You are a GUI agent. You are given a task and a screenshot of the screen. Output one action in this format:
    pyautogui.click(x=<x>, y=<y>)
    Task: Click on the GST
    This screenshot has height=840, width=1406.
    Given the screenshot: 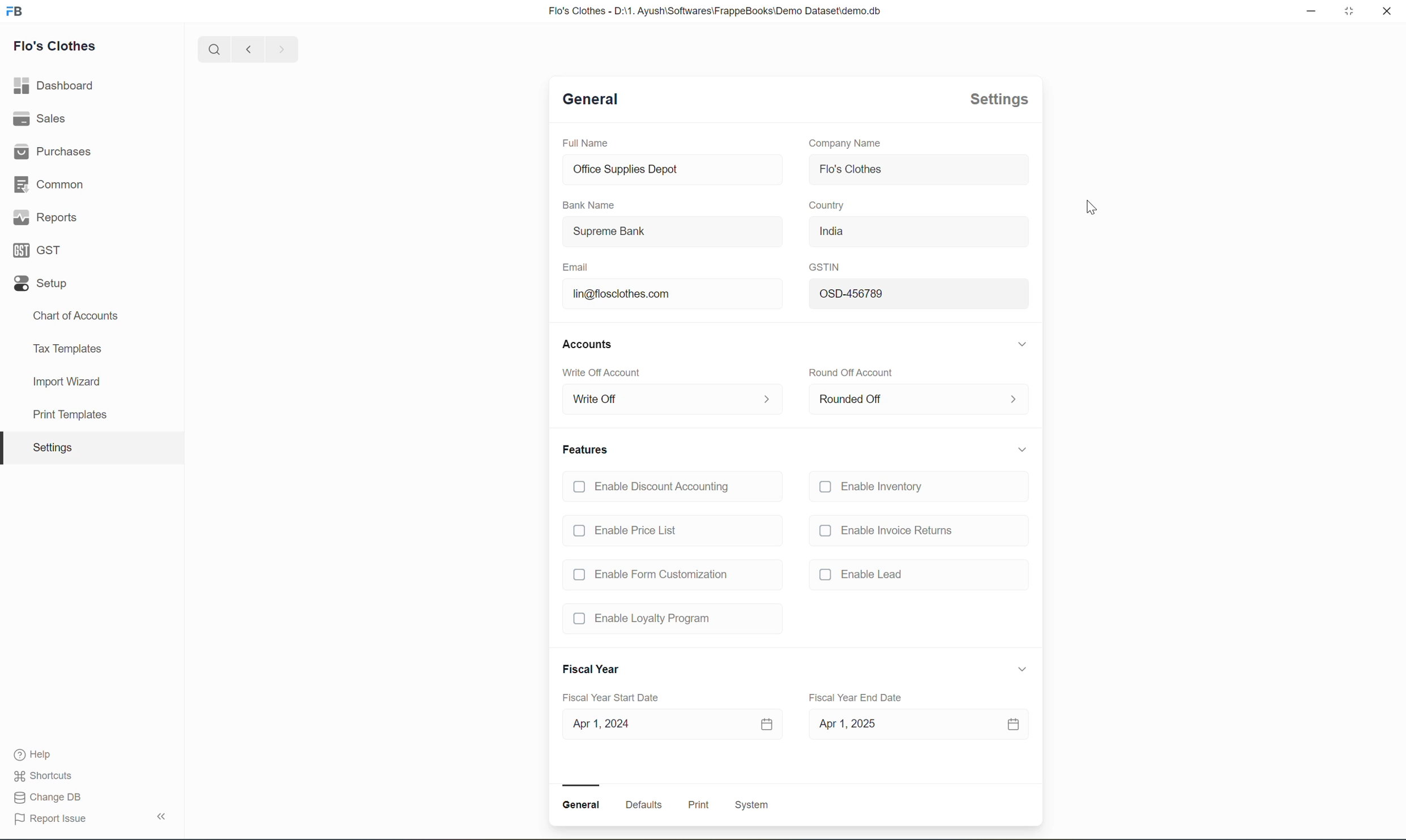 What is the action you would take?
    pyautogui.click(x=38, y=250)
    